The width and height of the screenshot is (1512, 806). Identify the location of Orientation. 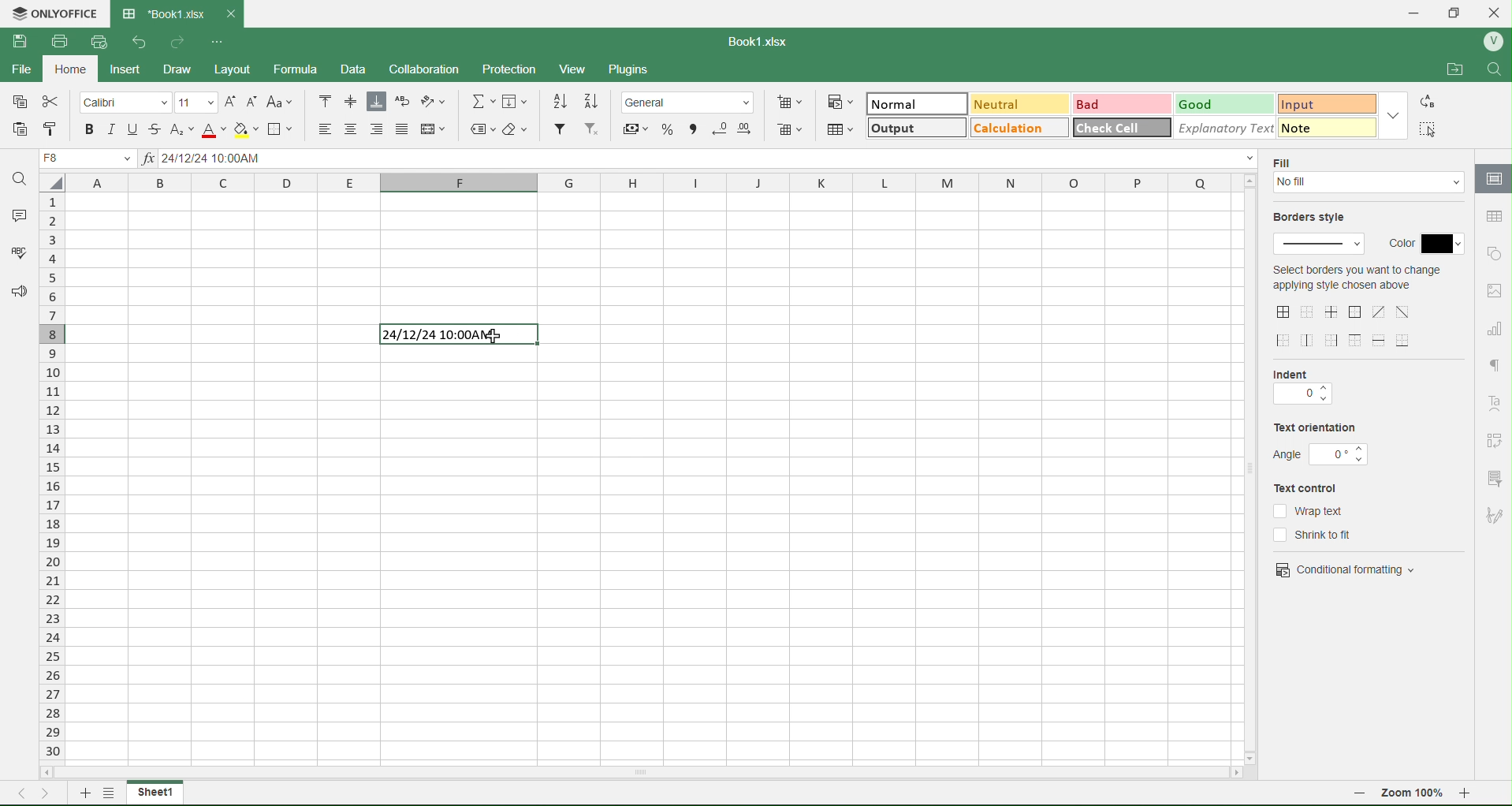
(439, 103).